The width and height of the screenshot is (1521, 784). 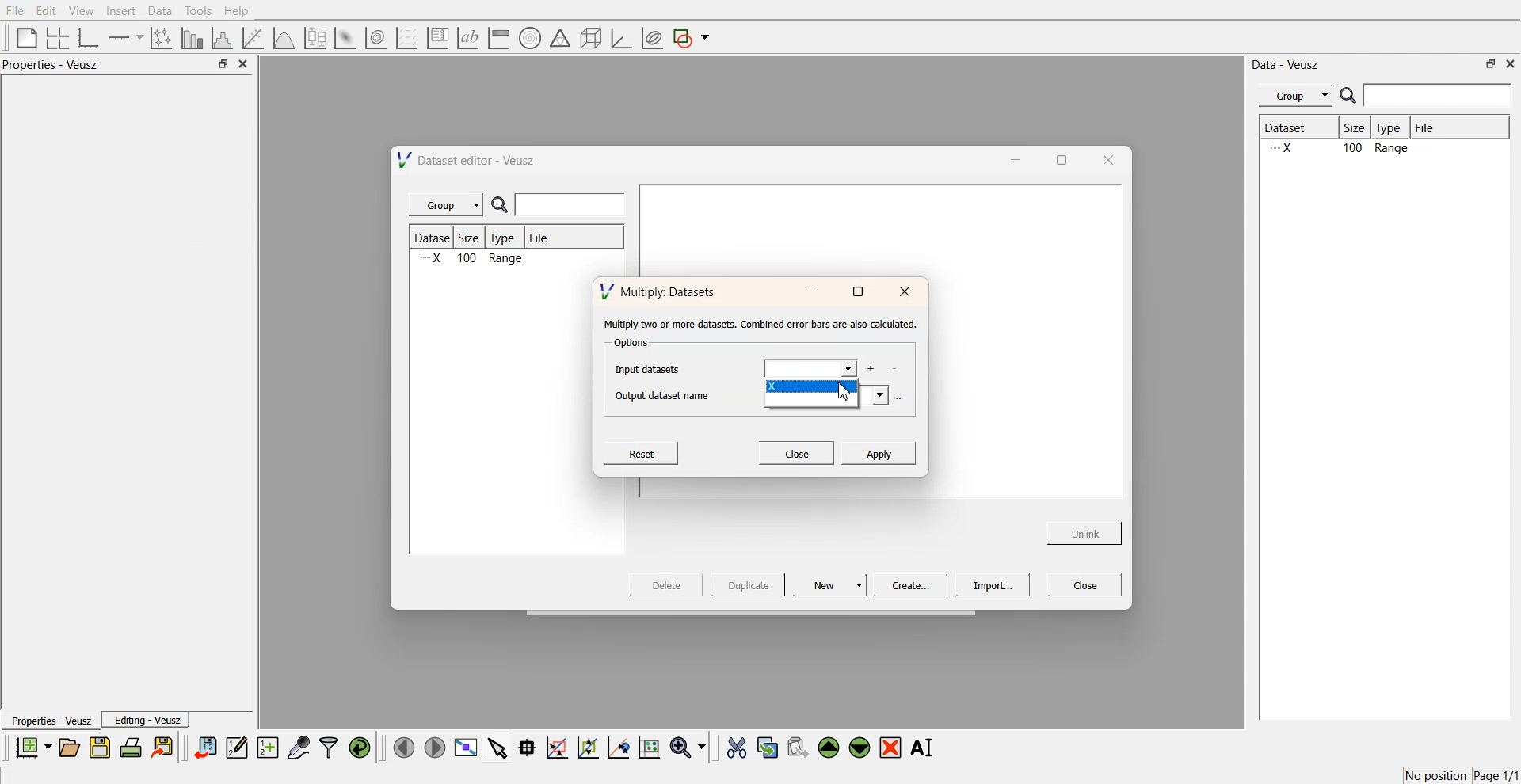 What do you see at coordinates (55, 65) in the screenshot?
I see `Properties - Veusz` at bounding box center [55, 65].